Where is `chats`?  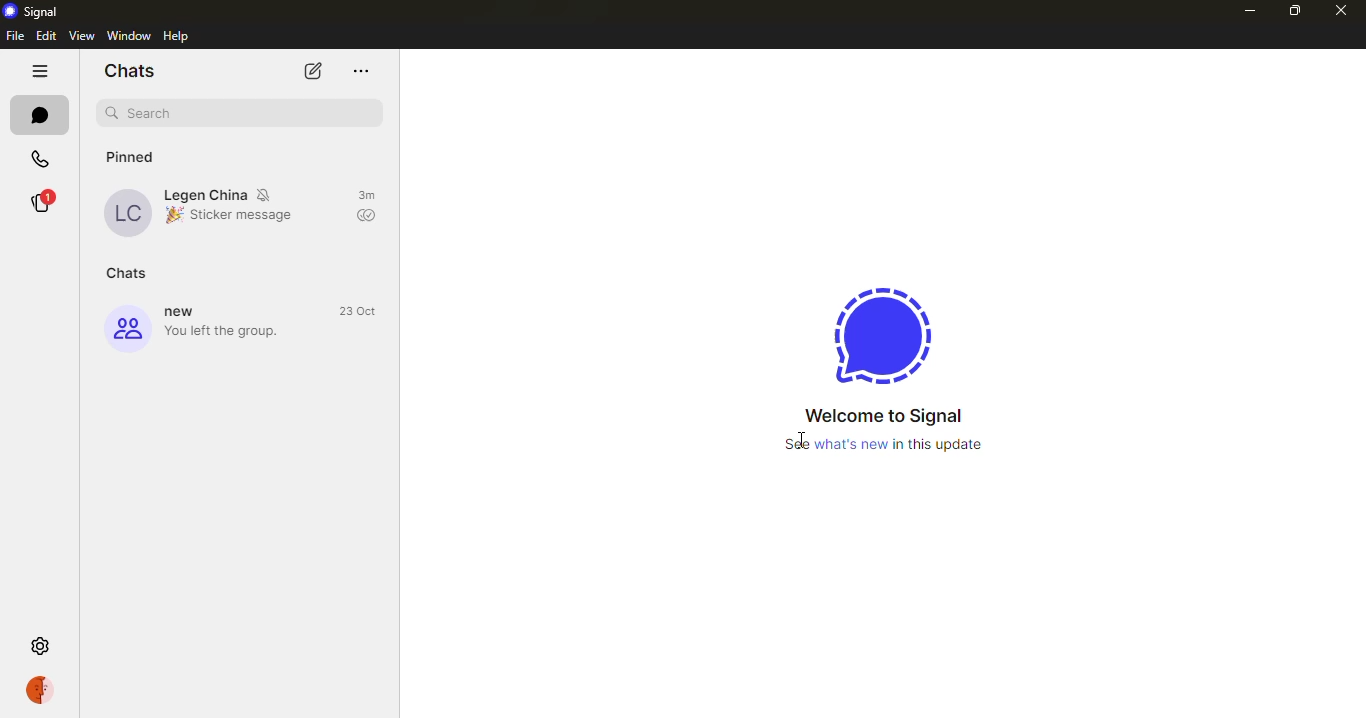
chats is located at coordinates (128, 72).